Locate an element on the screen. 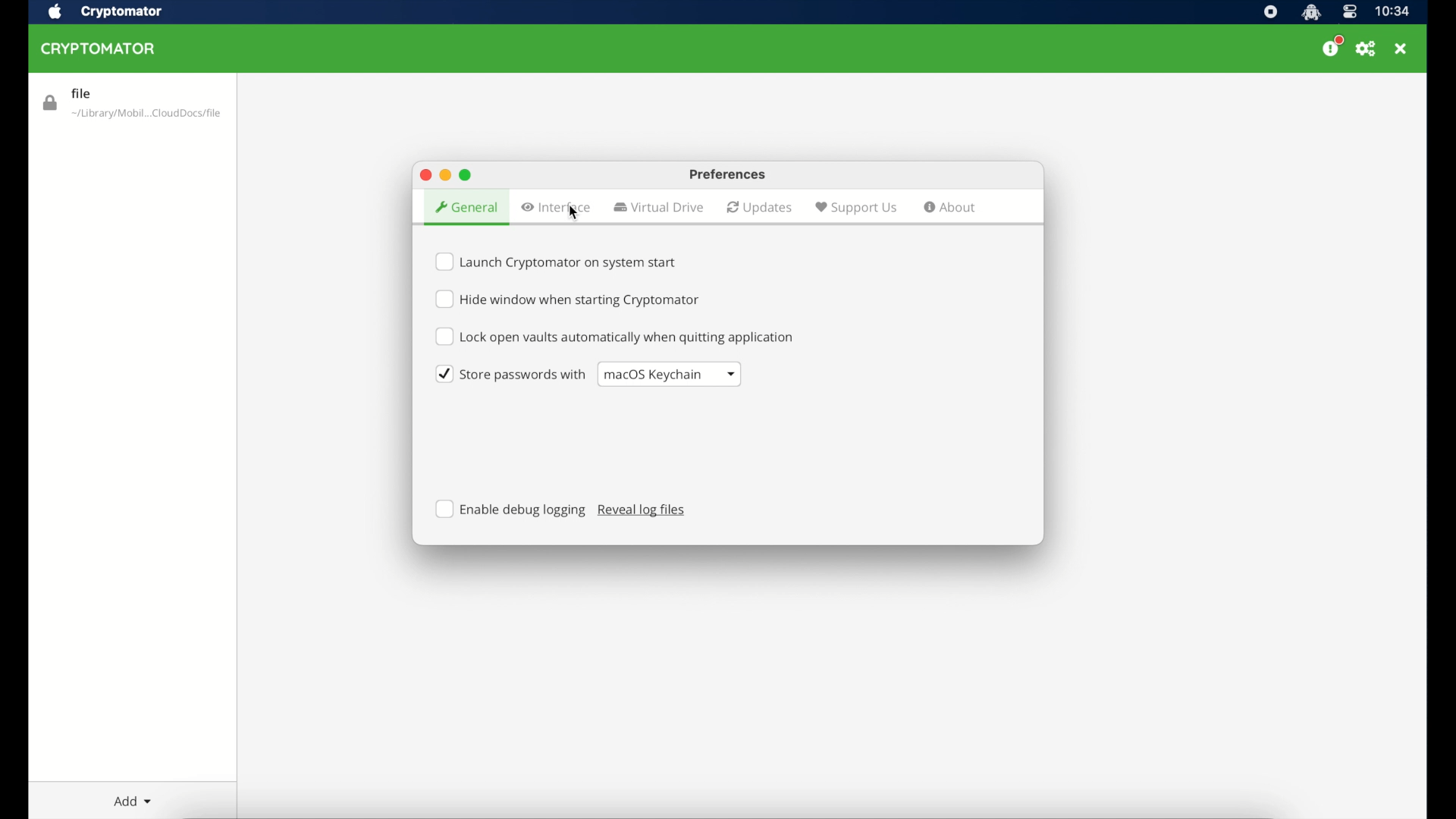  checkbox is located at coordinates (555, 261).